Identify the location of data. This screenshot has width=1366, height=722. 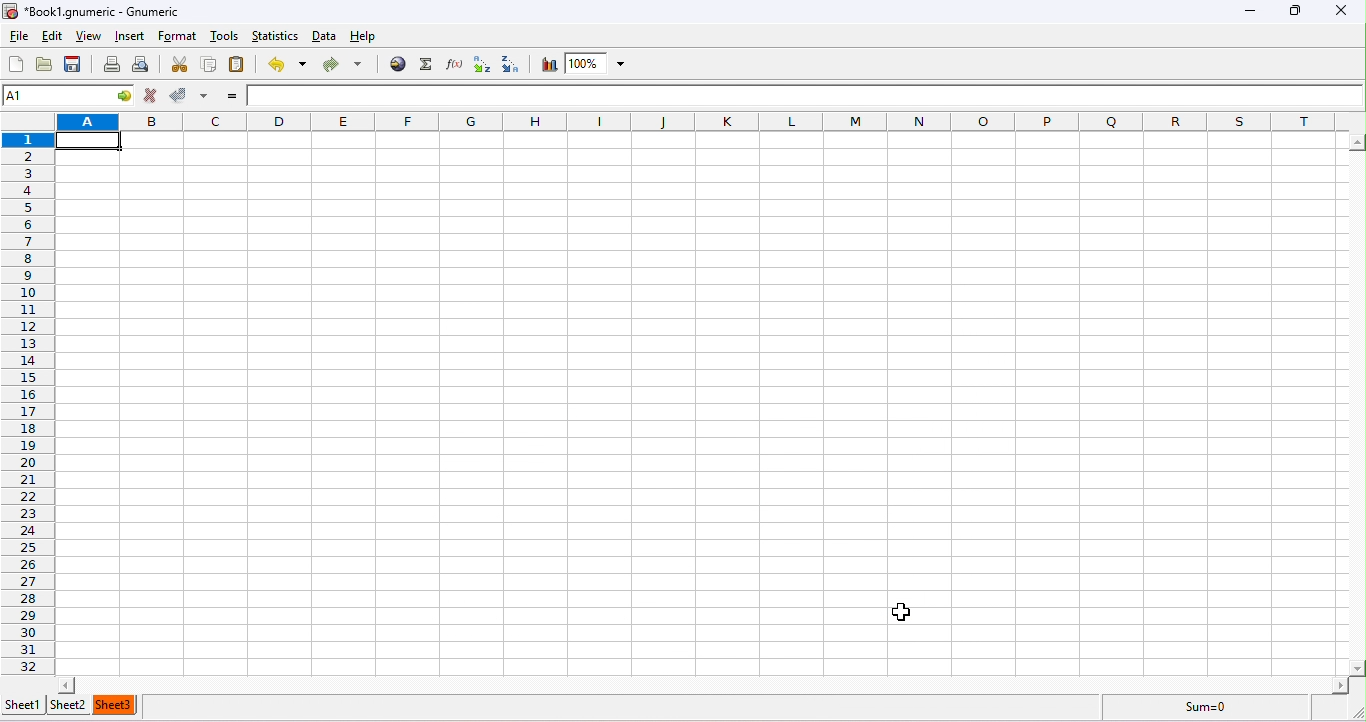
(326, 32).